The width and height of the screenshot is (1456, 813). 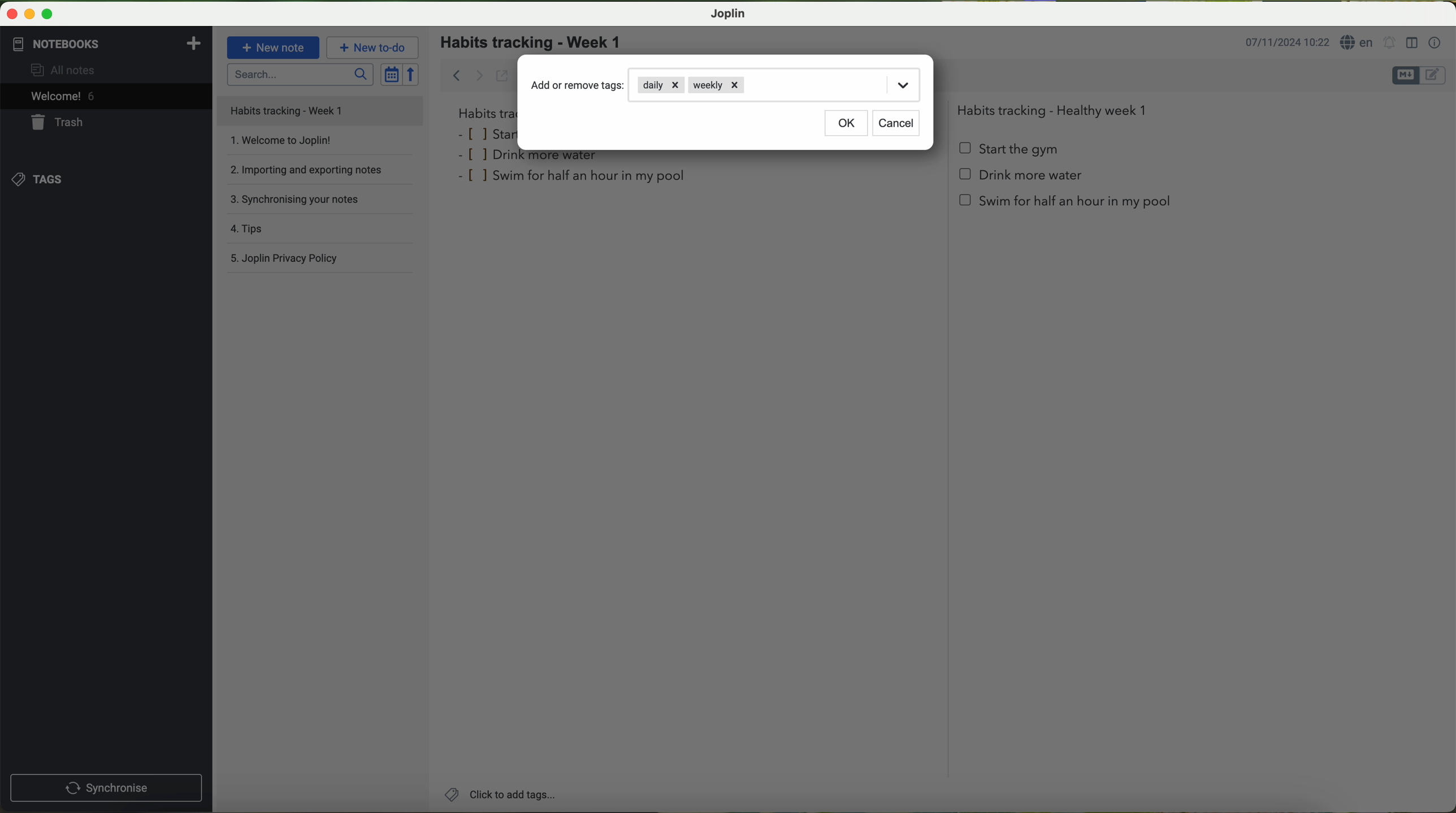 What do you see at coordinates (322, 231) in the screenshot?
I see `tips` at bounding box center [322, 231].